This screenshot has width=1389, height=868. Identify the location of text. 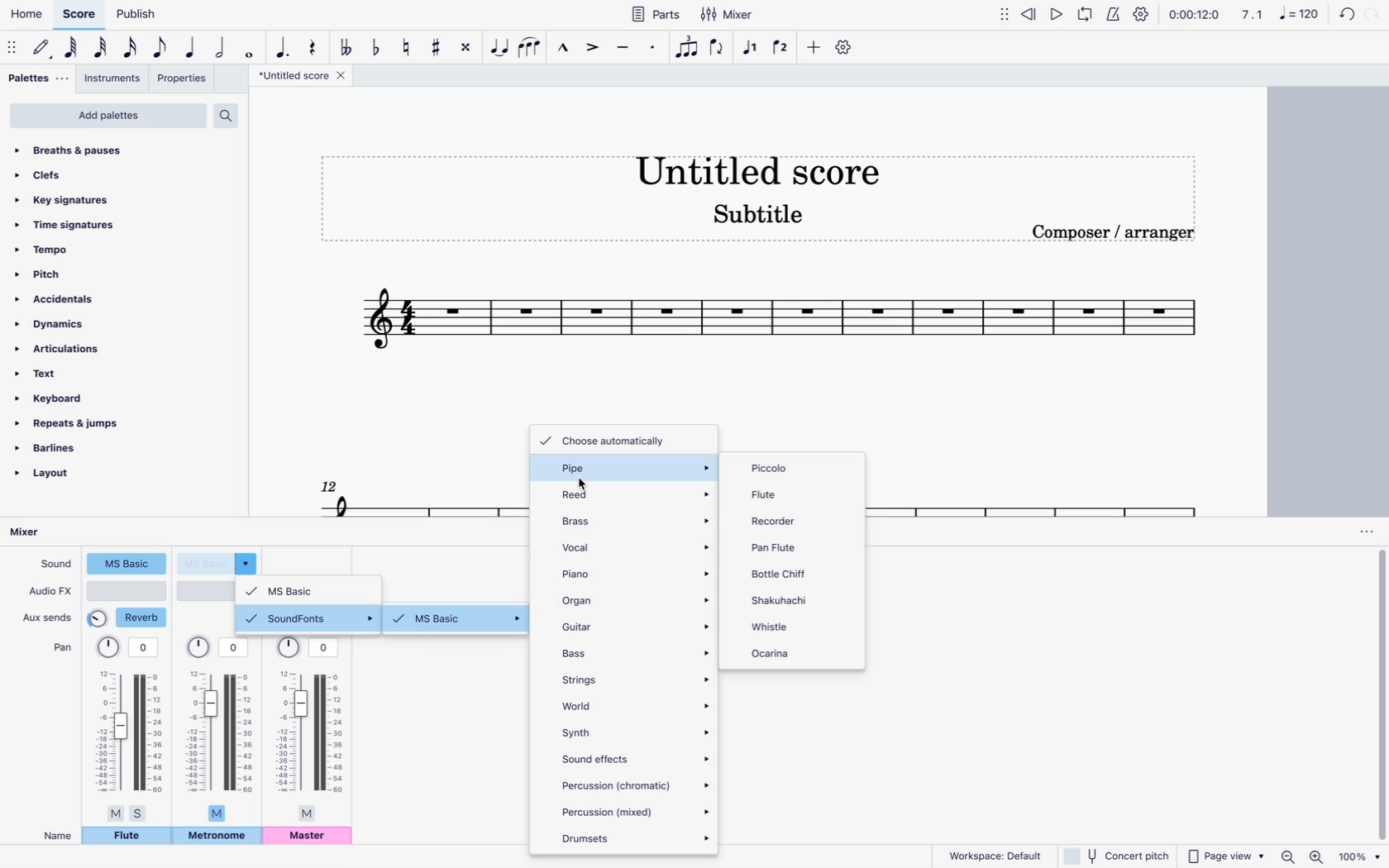
(87, 374).